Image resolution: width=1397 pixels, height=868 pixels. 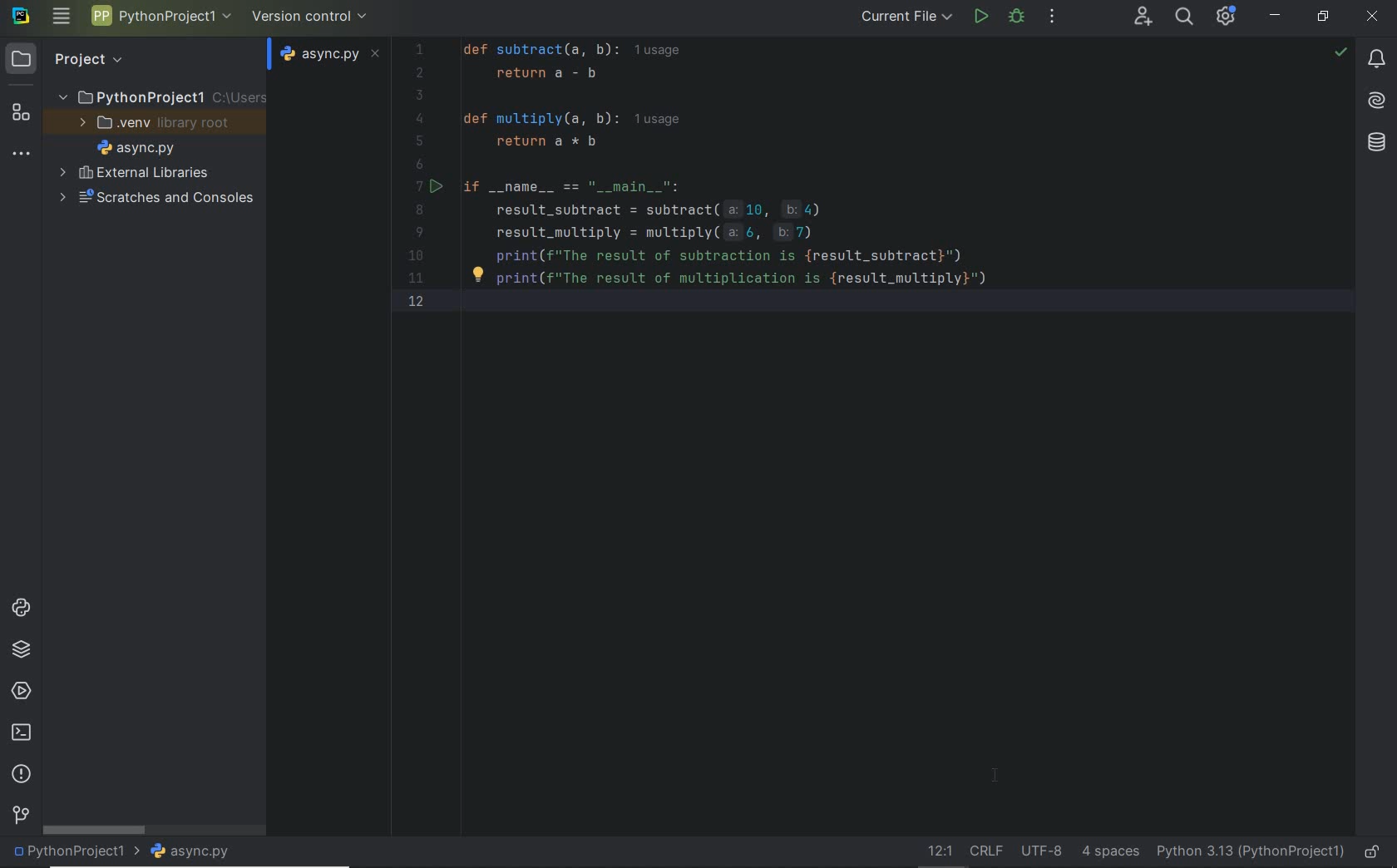 What do you see at coordinates (906, 17) in the screenshot?
I see `current file` at bounding box center [906, 17].